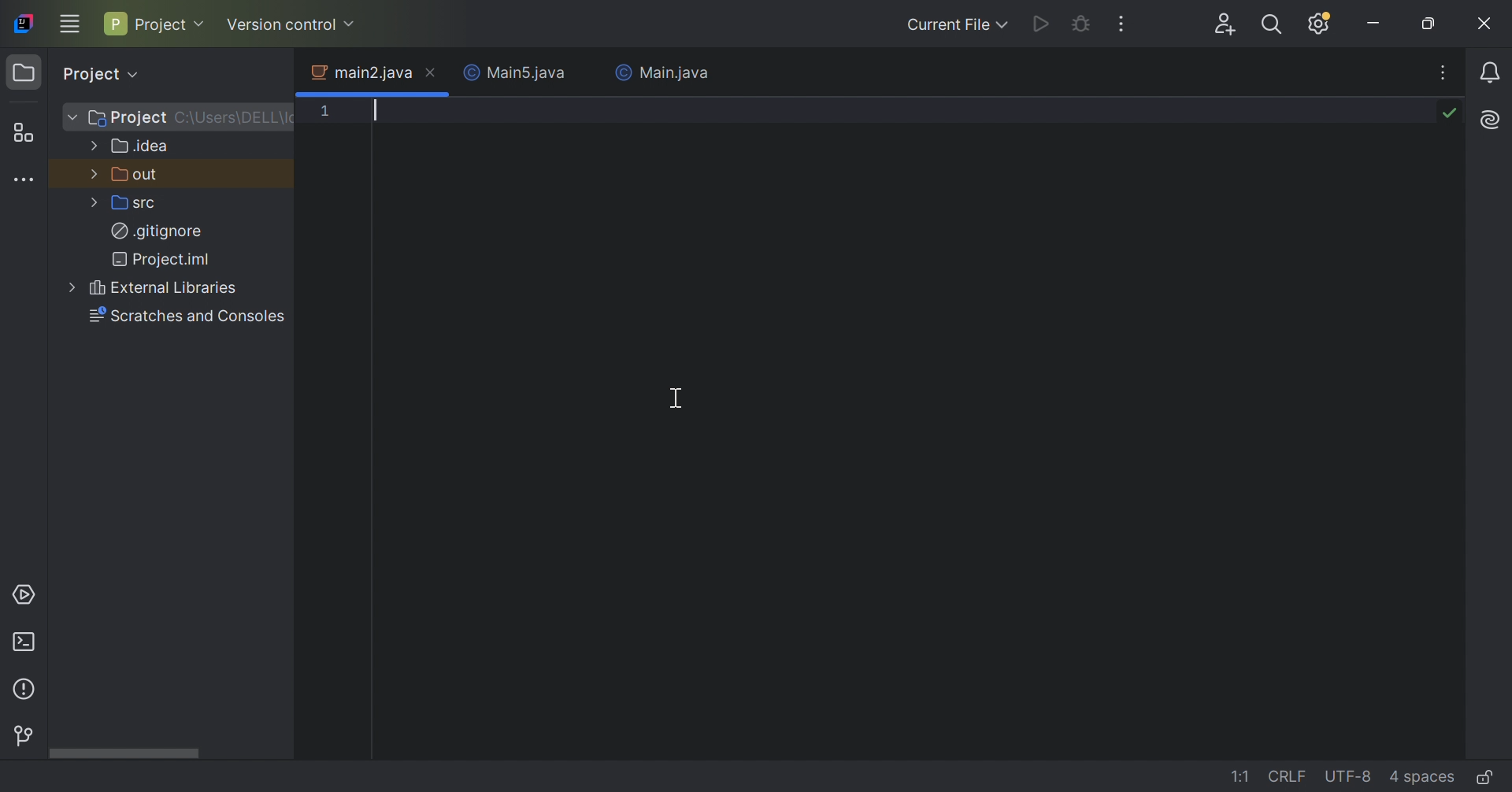 This screenshot has width=1512, height=792. What do you see at coordinates (164, 287) in the screenshot?
I see `External Libraries` at bounding box center [164, 287].